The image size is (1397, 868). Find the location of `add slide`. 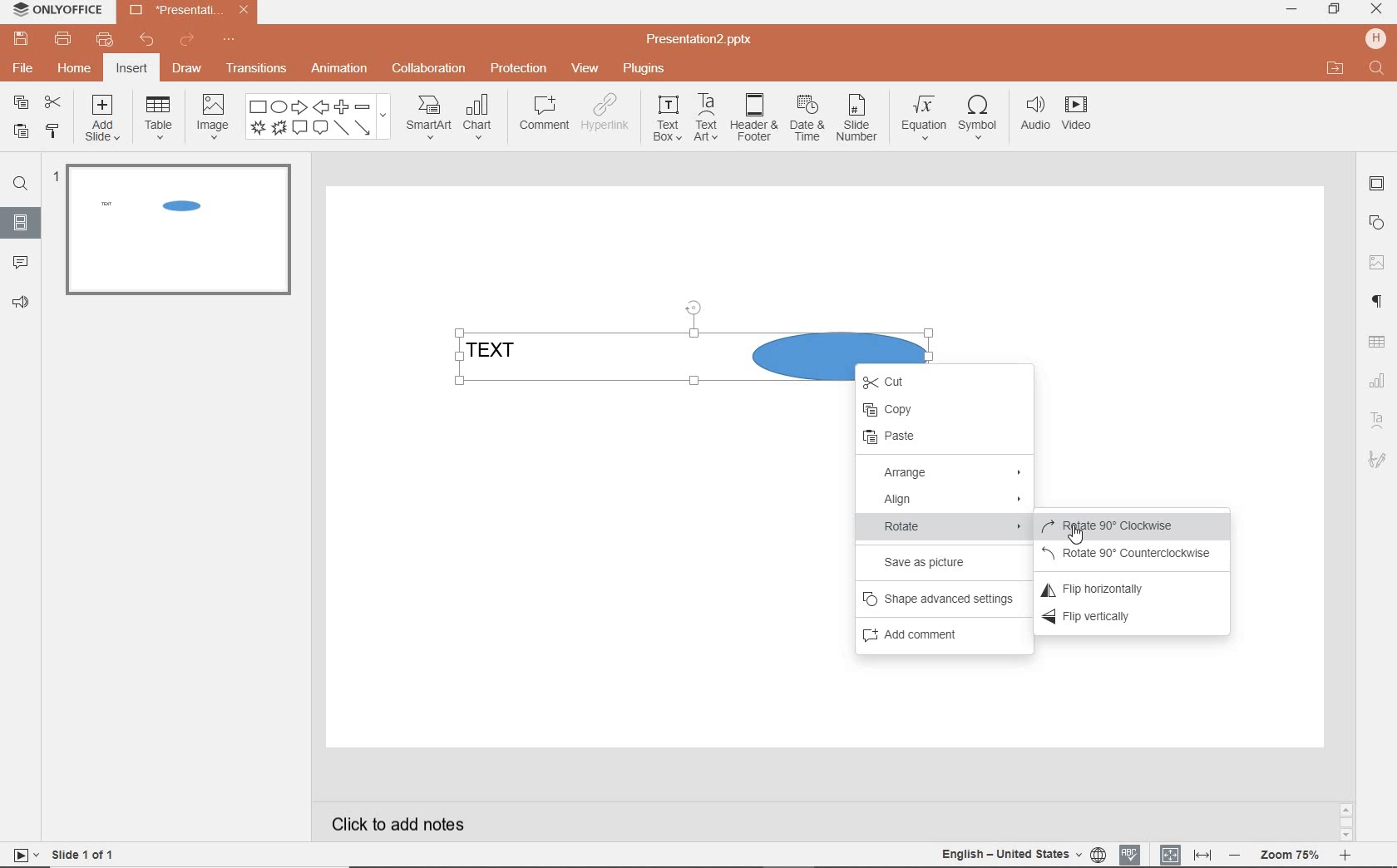

add slide is located at coordinates (103, 121).